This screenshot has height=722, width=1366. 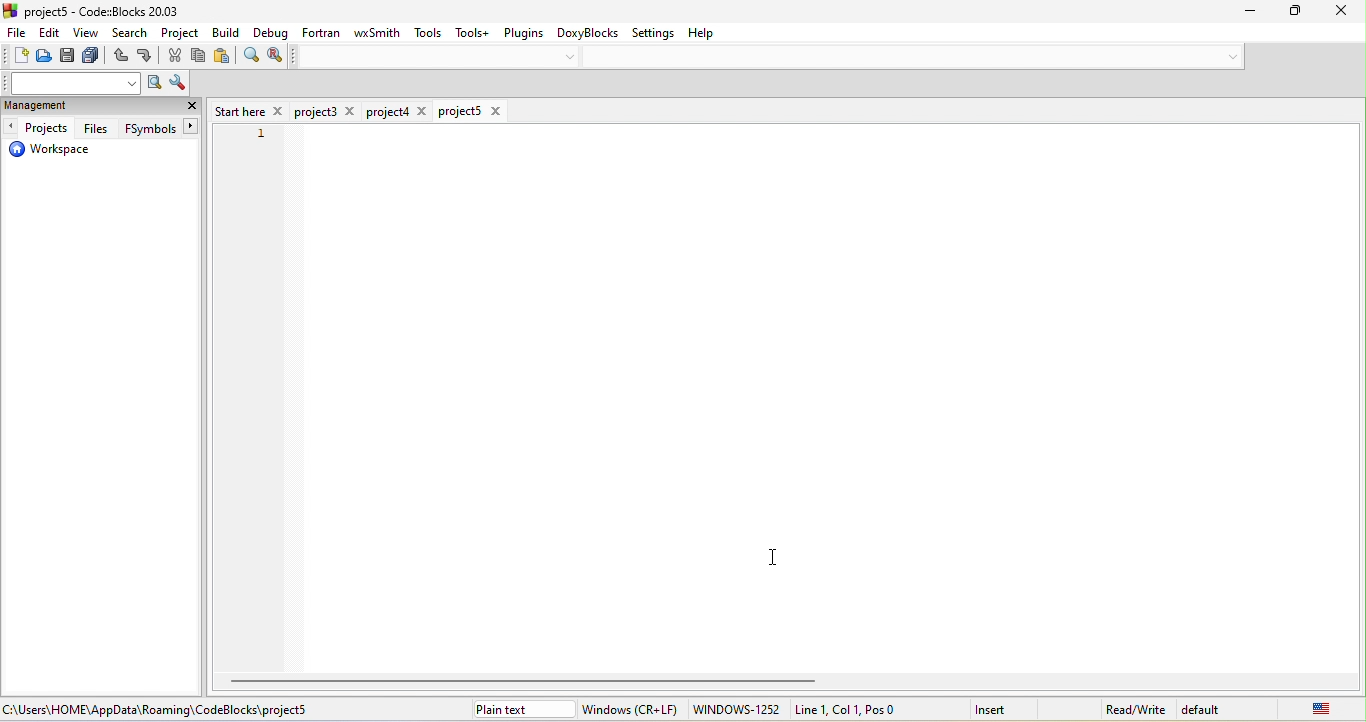 What do you see at coordinates (255, 134) in the screenshot?
I see `1` at bounding box center [255, 134].